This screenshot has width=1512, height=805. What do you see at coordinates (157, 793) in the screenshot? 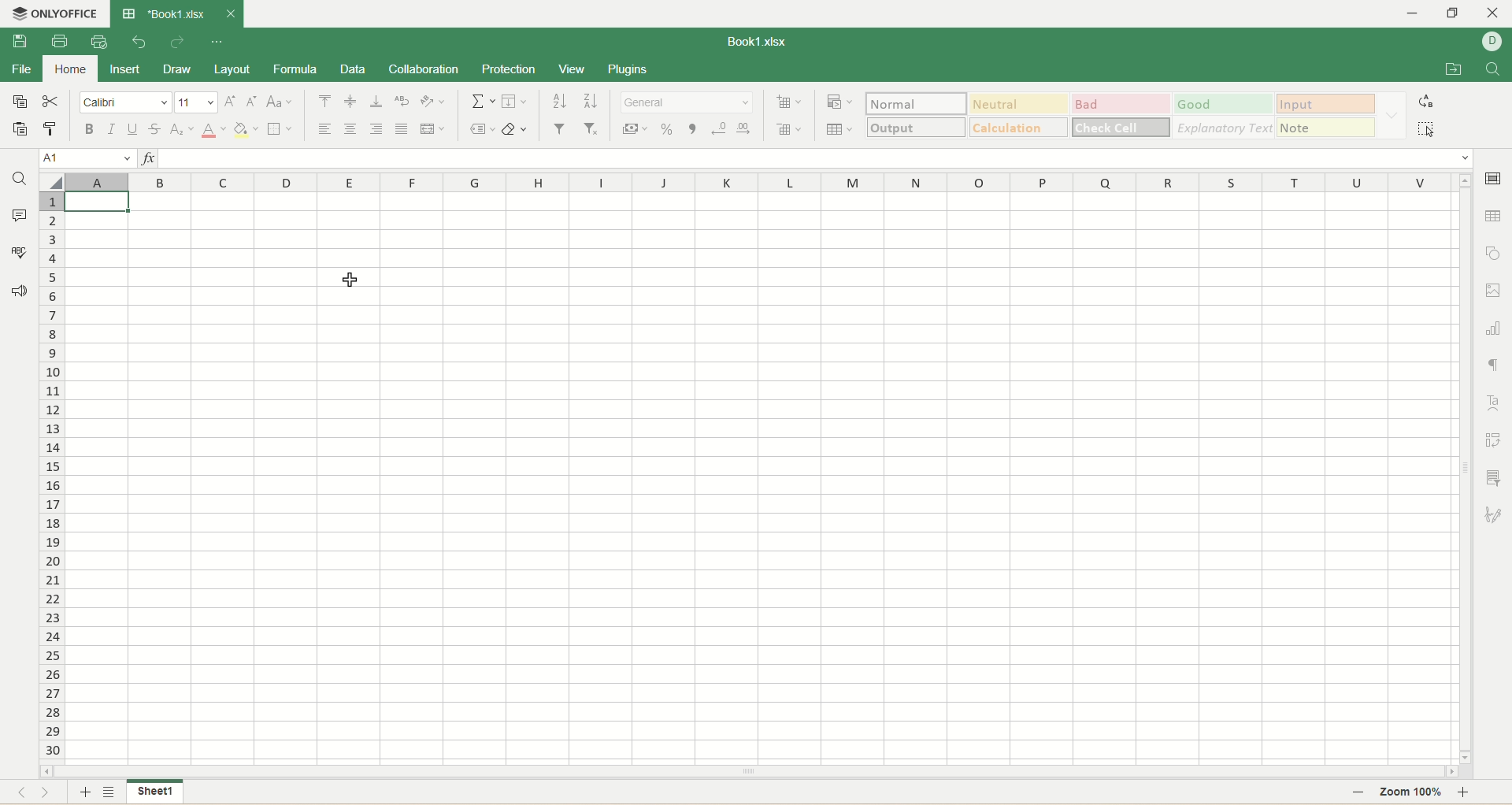
I see `sheet 1` at bounding box center [157, 793].